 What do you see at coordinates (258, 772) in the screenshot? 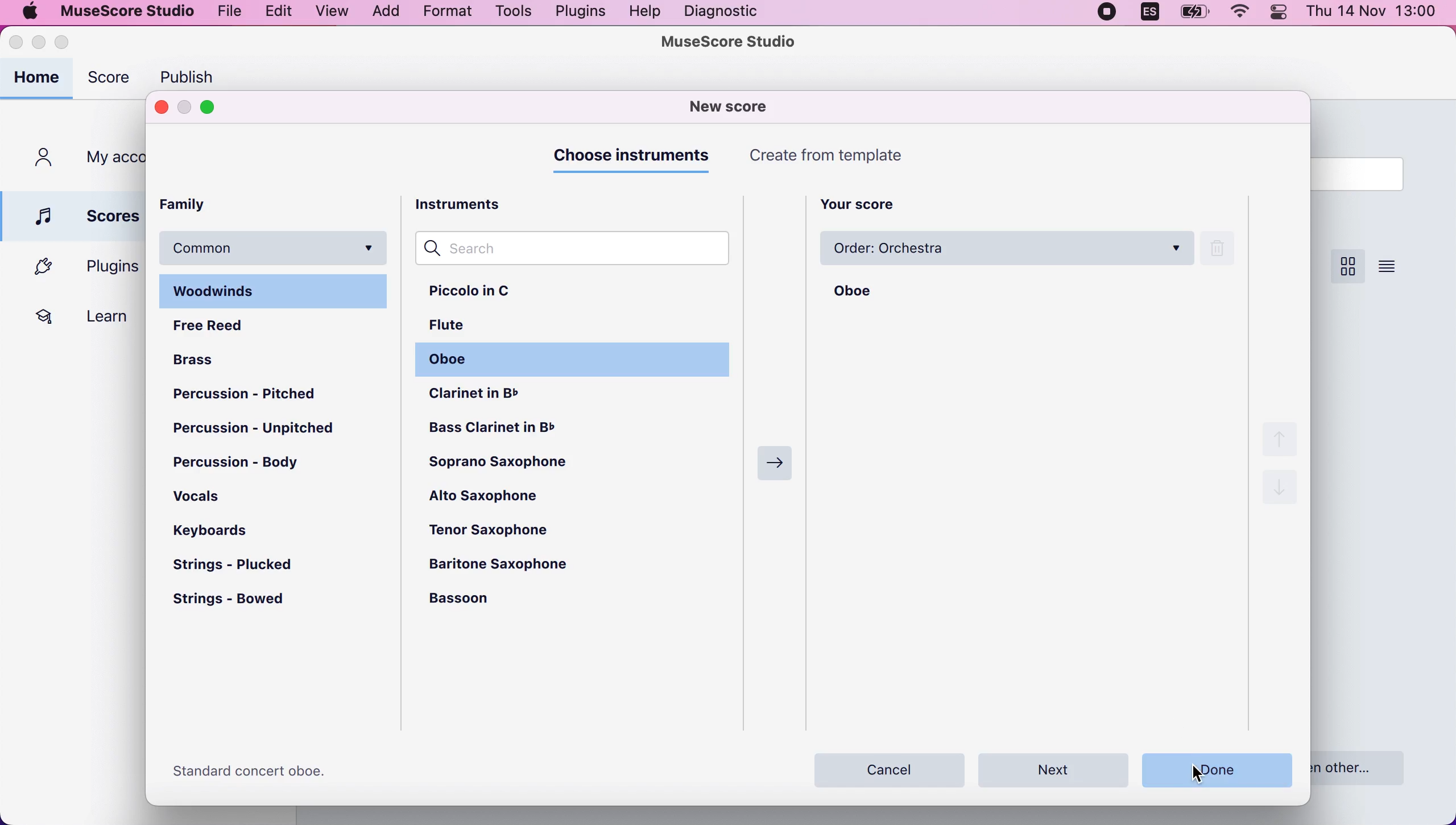
I see `Standard concert oboe.` at bounding box center [258, 772].